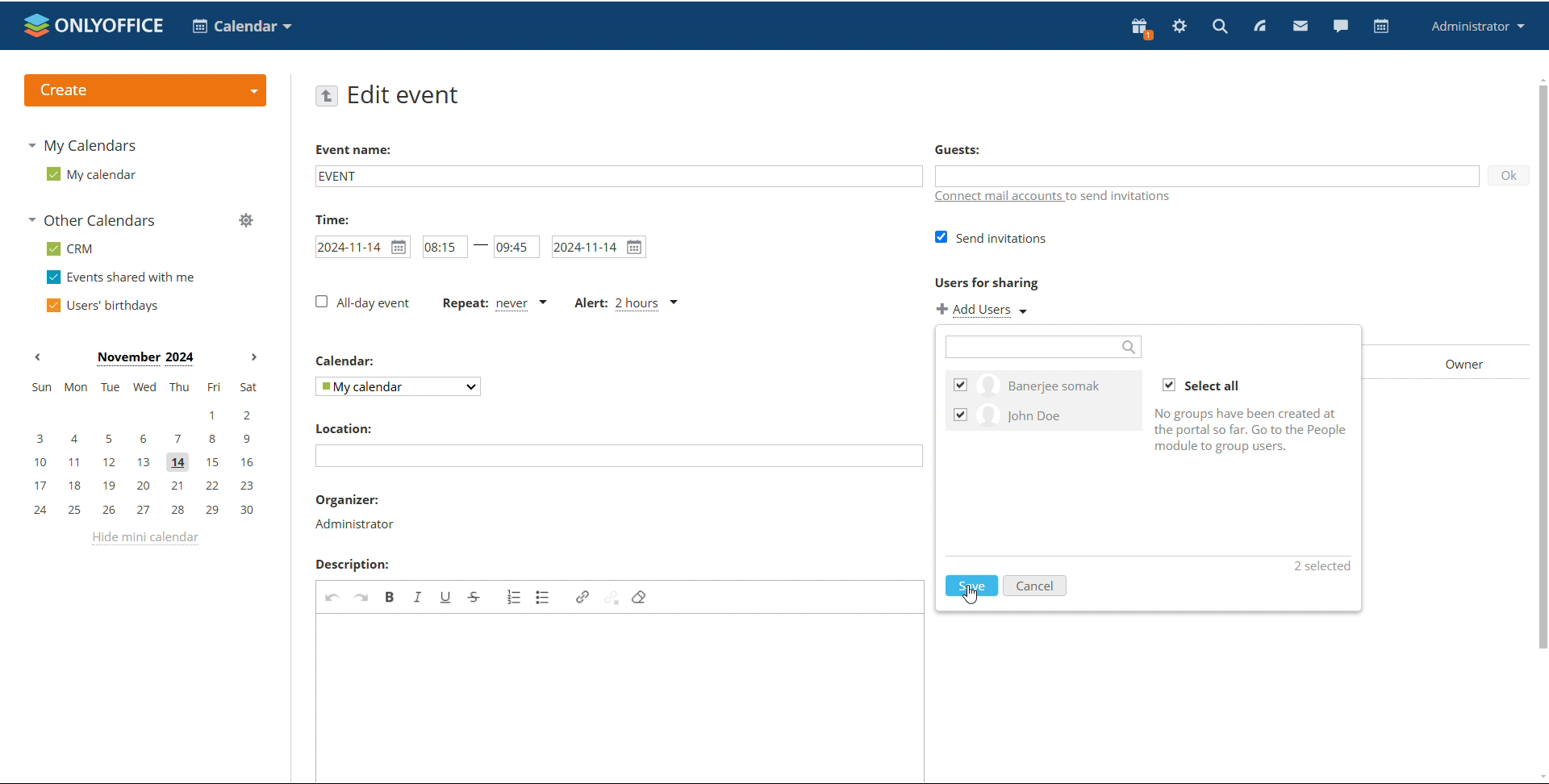 The width and height of the screenshot is (1549, 784). I want to click on set start date, so click(362, 246).